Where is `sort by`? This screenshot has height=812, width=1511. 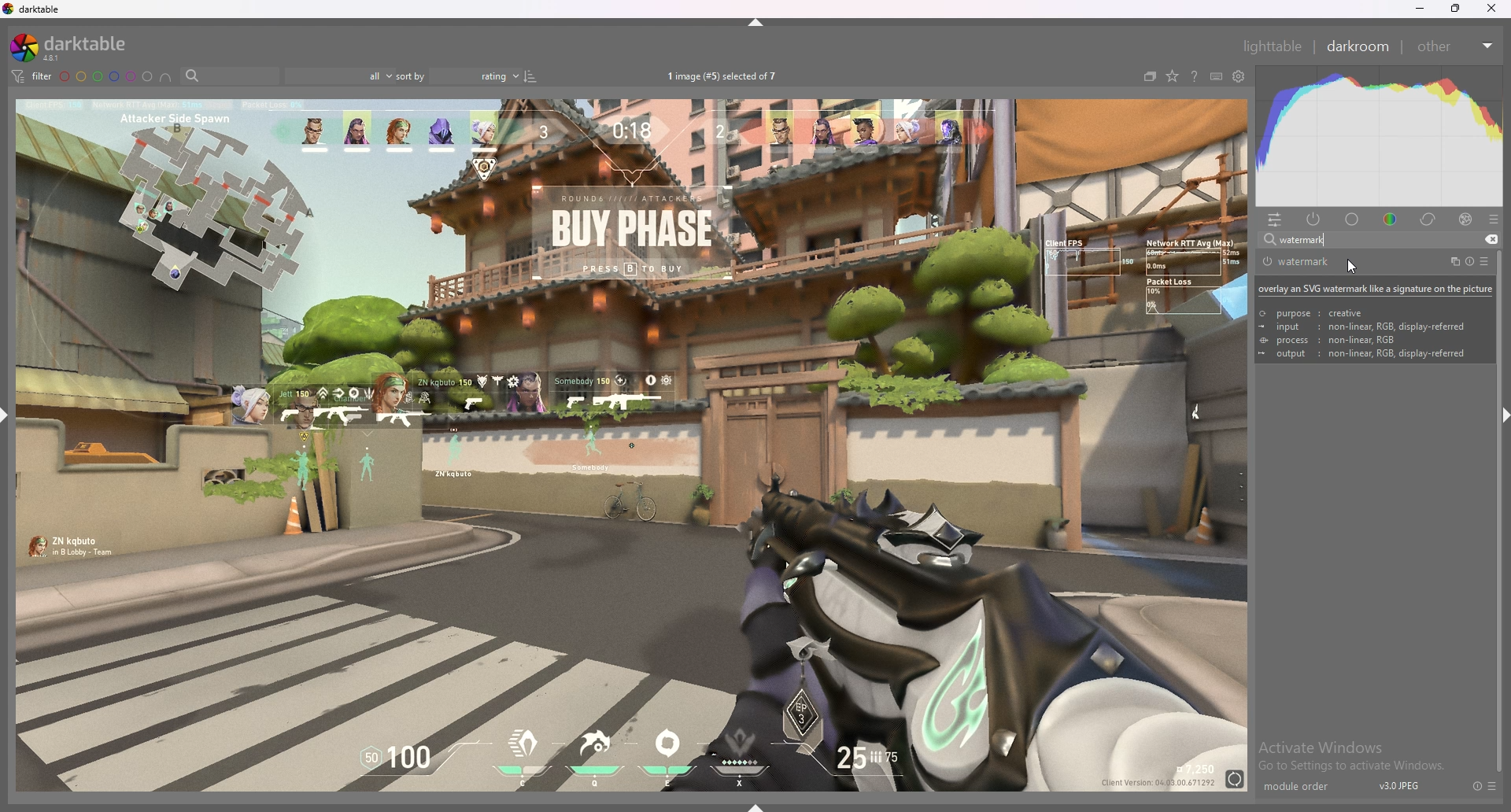
sort by is located at coordinates (459, 76).